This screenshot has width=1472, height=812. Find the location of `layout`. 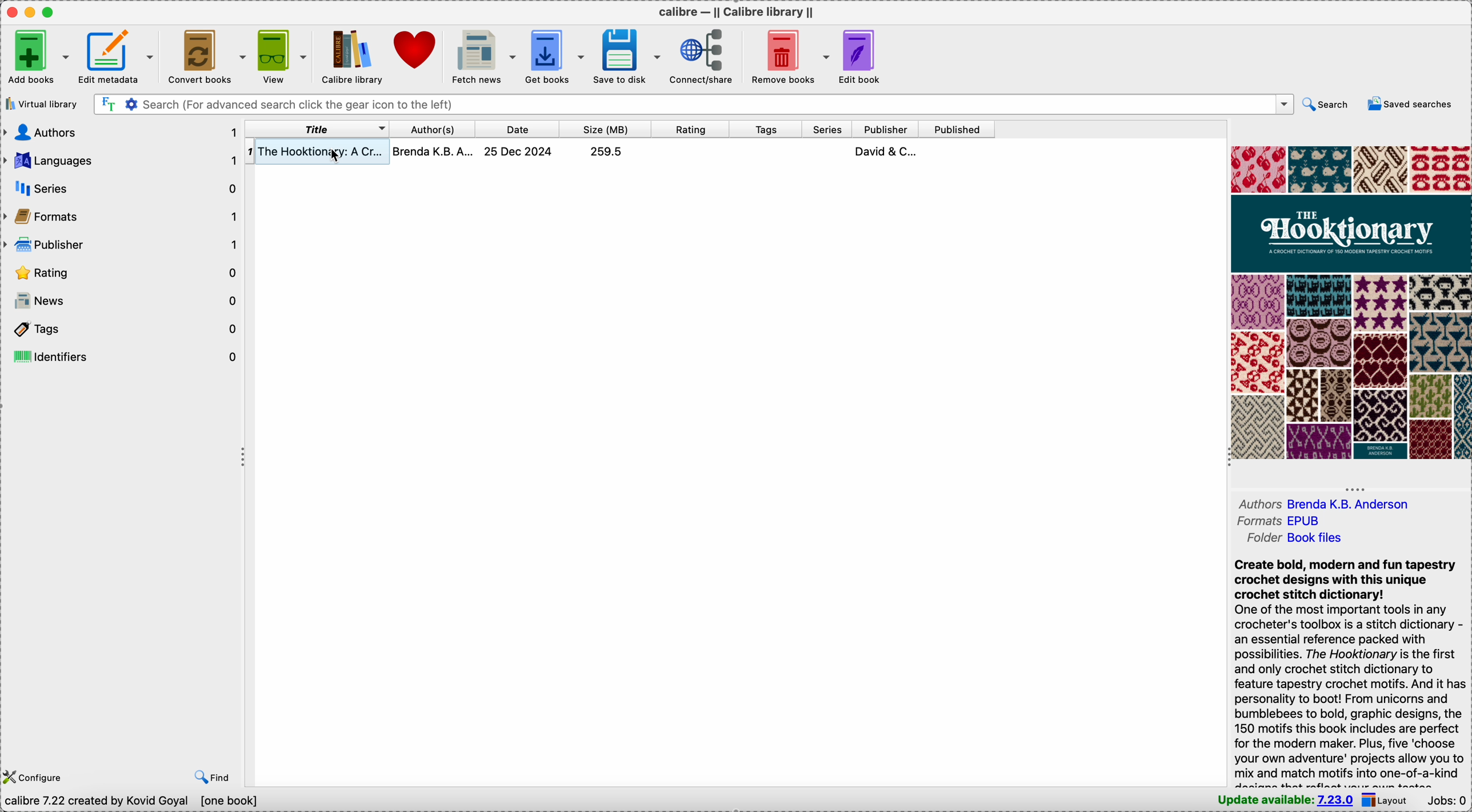

layout is located at coordinates (1387, 800).